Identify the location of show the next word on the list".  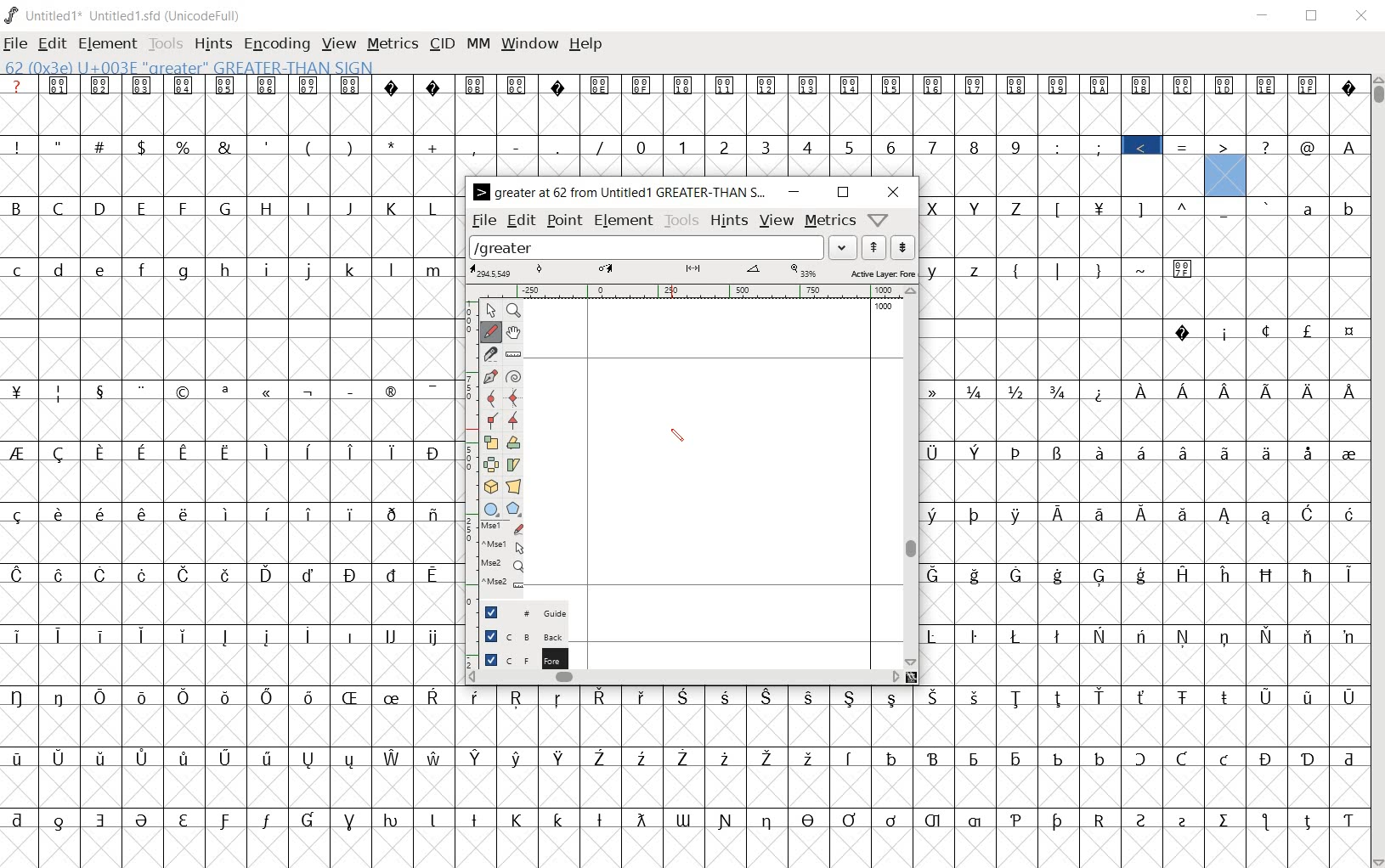
(876, 247).